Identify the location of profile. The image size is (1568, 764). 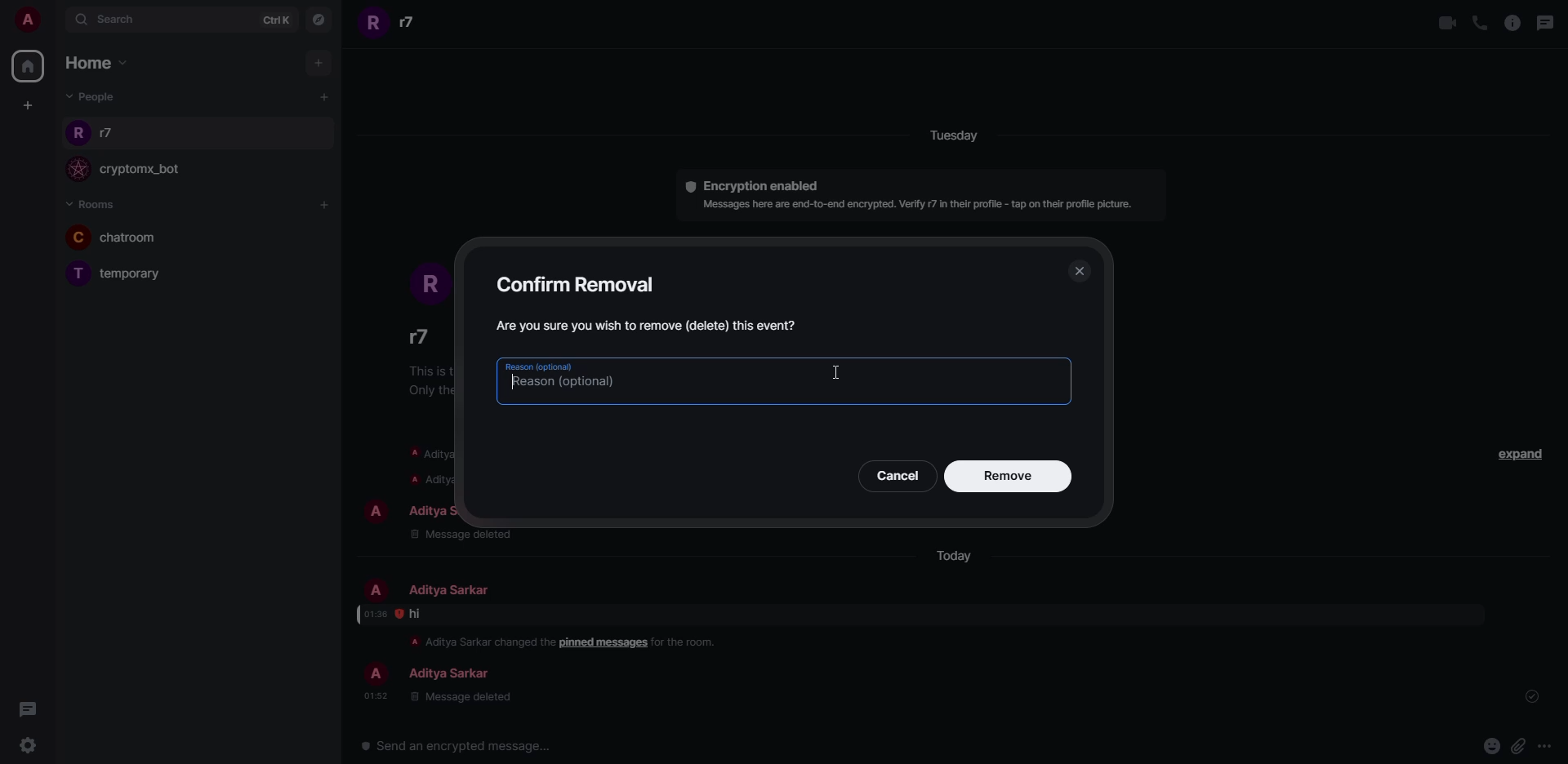
(377, 590).